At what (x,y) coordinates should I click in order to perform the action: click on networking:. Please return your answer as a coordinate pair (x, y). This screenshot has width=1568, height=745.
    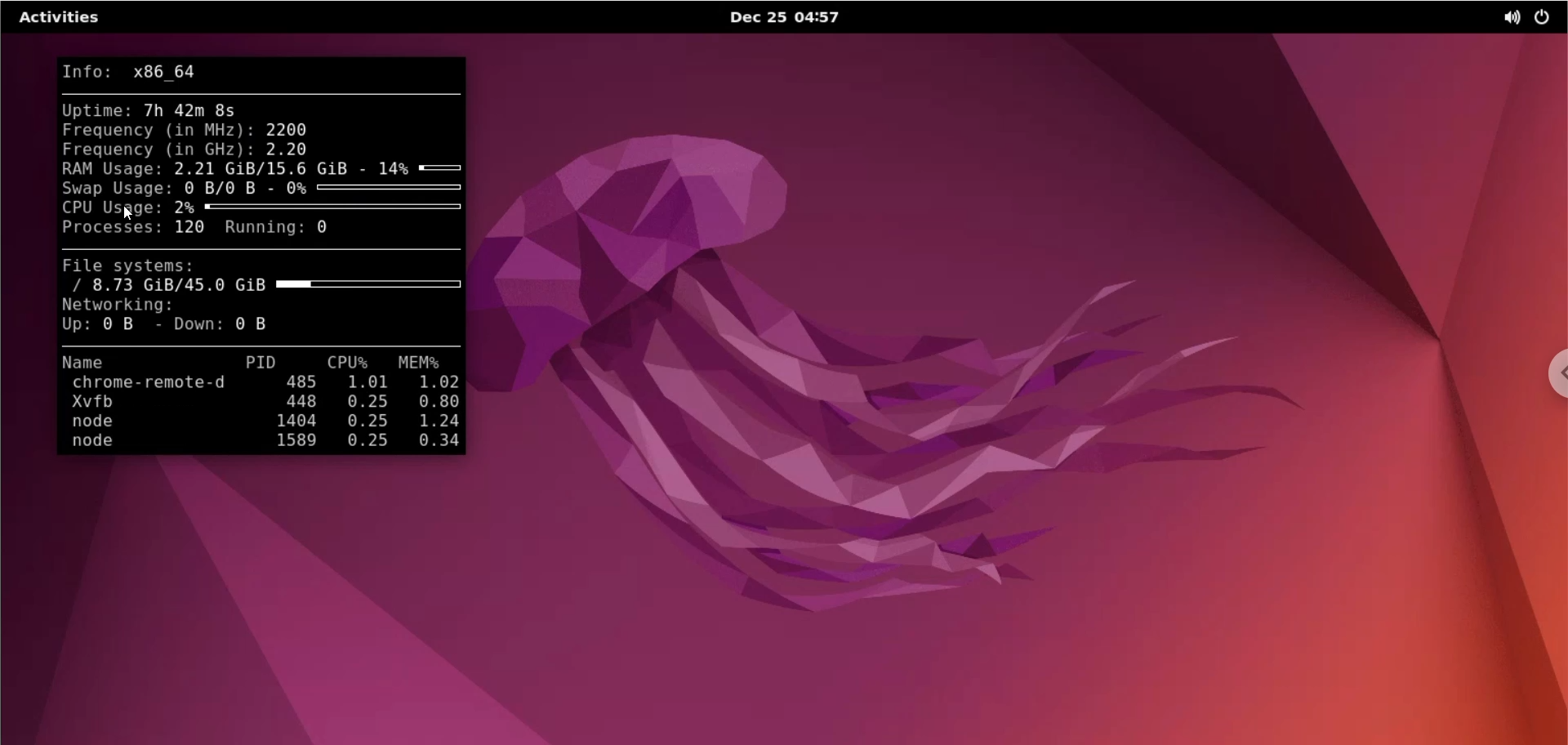
    Looking at the image, I should click on (123, 306).